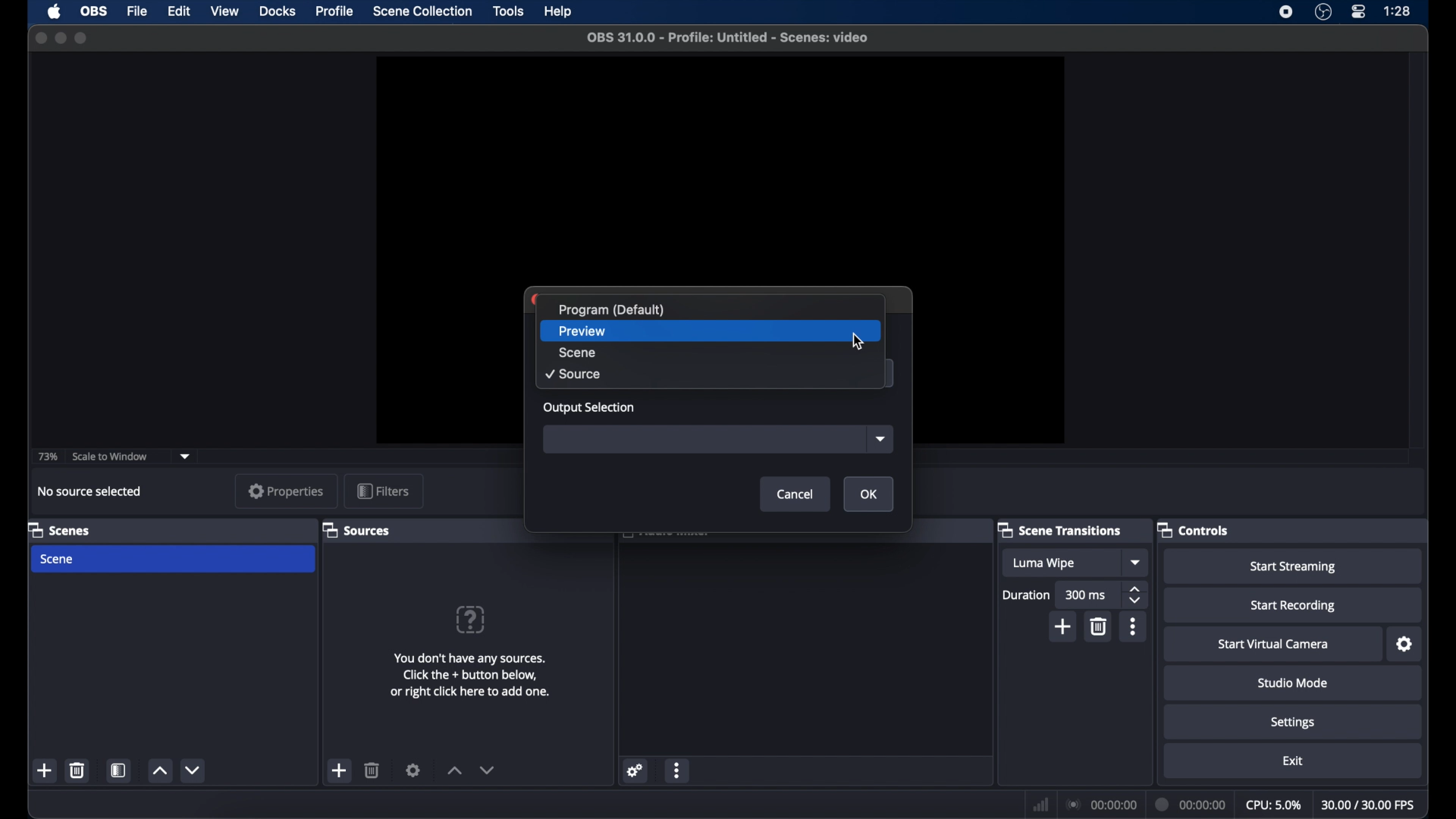 This screenshot has width=1456, height=819. I want to click on connection, so click(1100, 804).